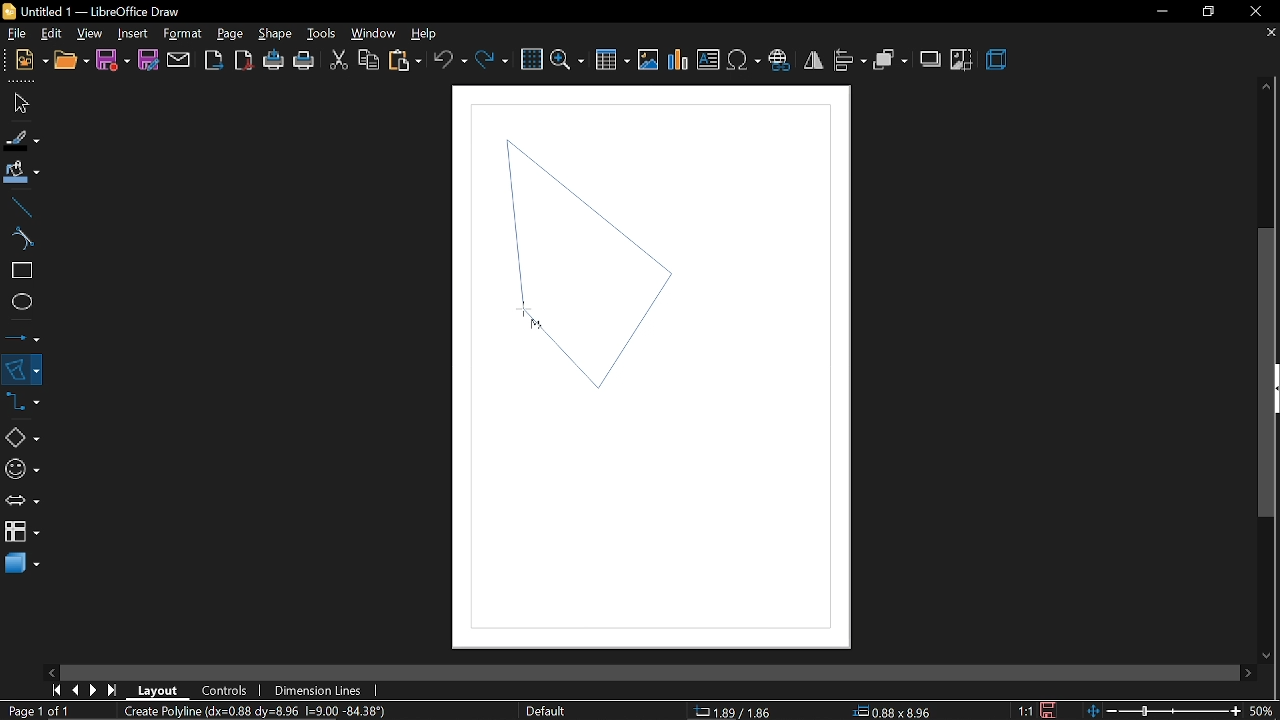 This screenshot has height=720, width=1280. Describe the element at coordinates (612, 59) in the screenshot. I see `insert table` at that location.